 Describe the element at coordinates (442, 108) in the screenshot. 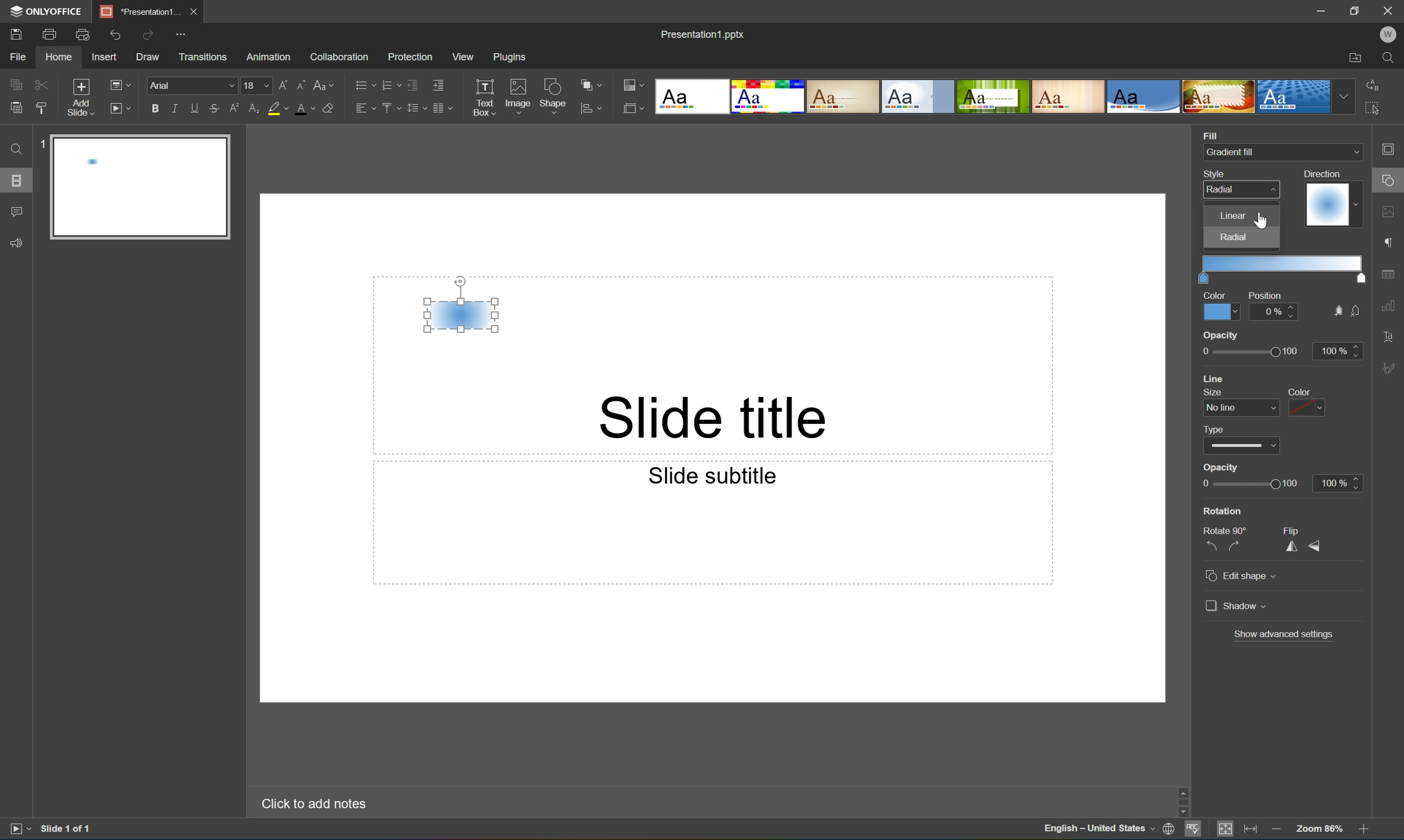

I see `Insert columns` at that location.